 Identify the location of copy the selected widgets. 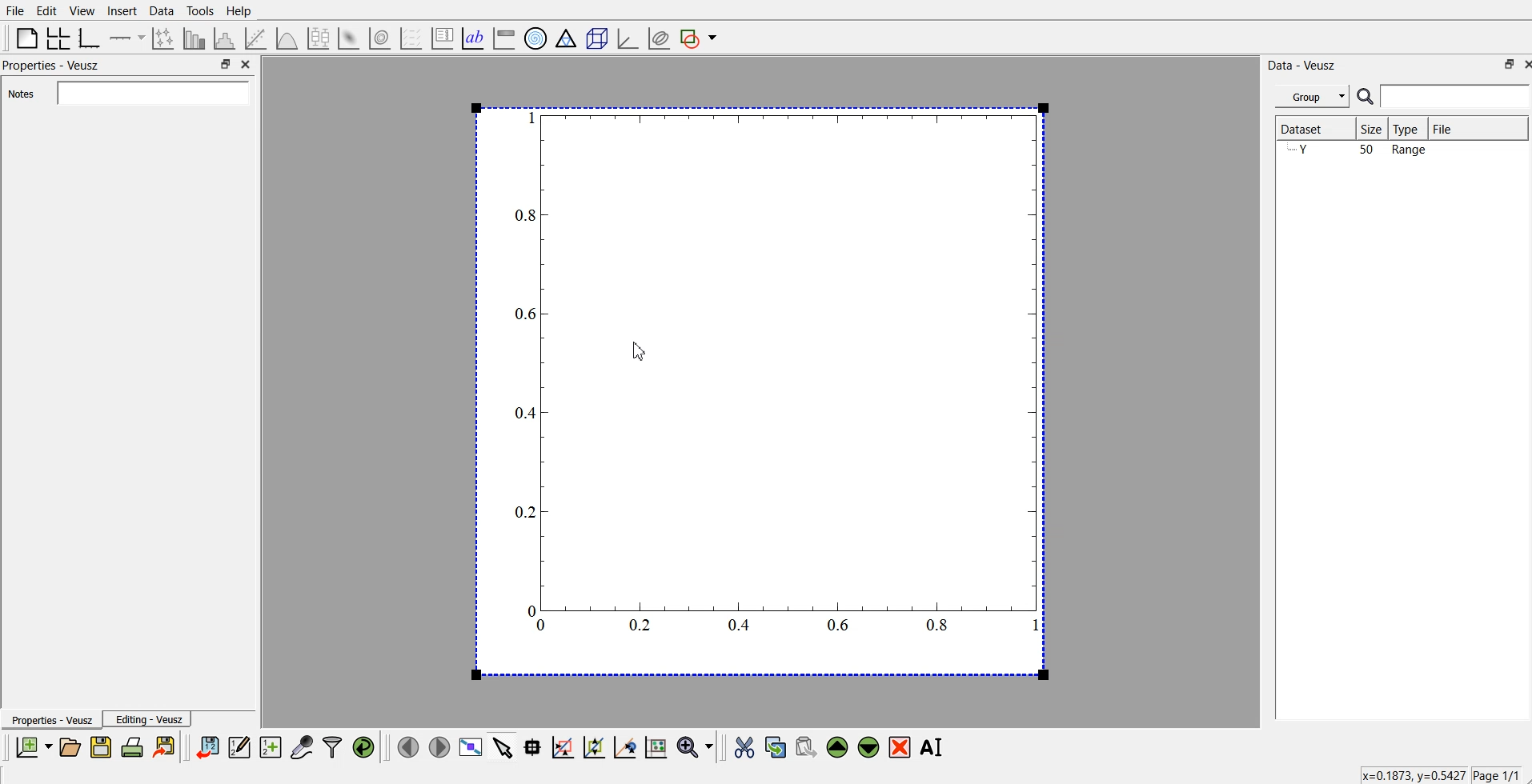
(776, 748).